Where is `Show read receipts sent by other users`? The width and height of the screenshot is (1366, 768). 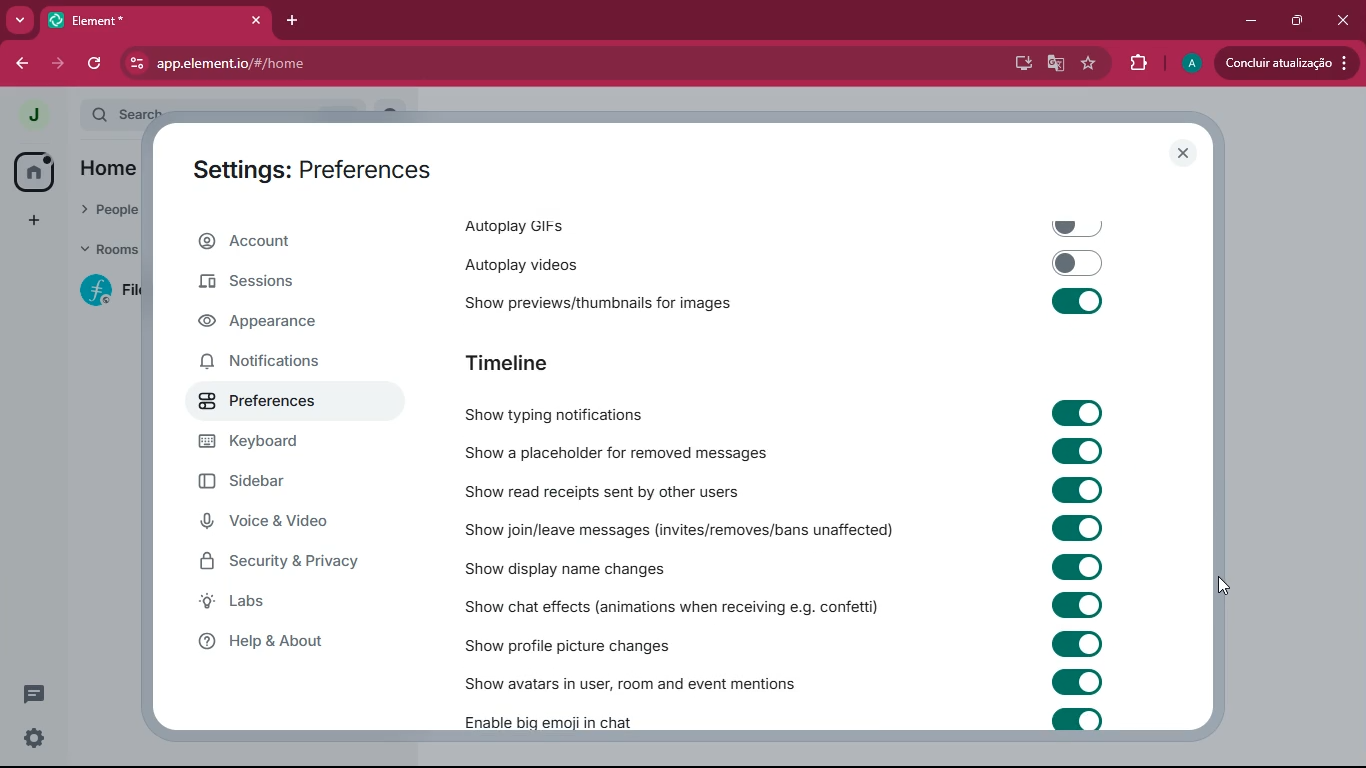
Show read receipts sent by other users is located at coordinates (785, 489).